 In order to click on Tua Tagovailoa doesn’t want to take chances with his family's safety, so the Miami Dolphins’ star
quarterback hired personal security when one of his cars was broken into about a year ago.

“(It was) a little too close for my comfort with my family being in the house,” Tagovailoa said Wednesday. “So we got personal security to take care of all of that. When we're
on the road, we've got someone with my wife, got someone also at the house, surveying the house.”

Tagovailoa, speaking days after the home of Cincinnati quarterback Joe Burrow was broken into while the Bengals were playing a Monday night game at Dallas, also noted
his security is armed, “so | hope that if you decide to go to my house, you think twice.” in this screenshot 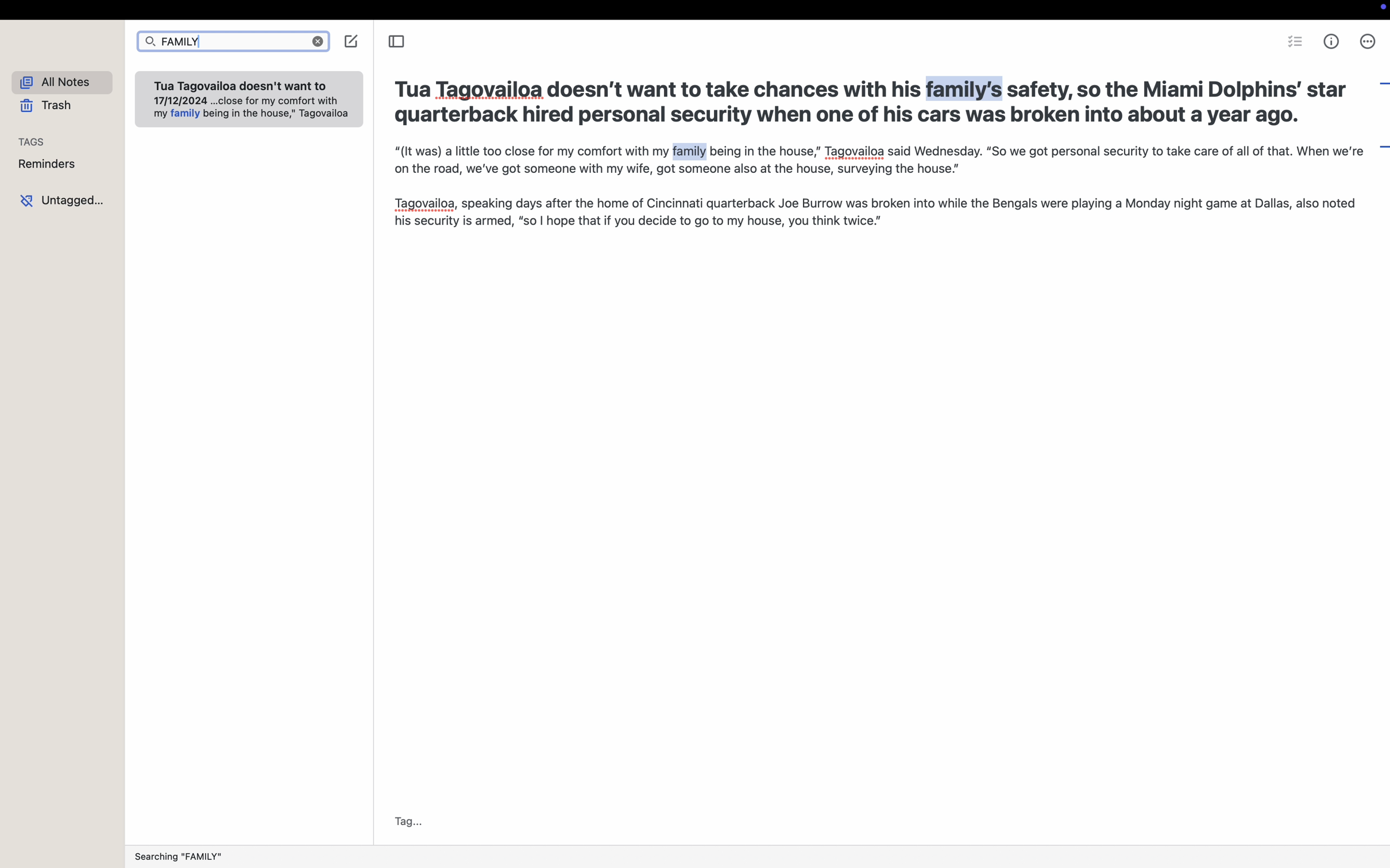, I will do `click(872, 153)`.